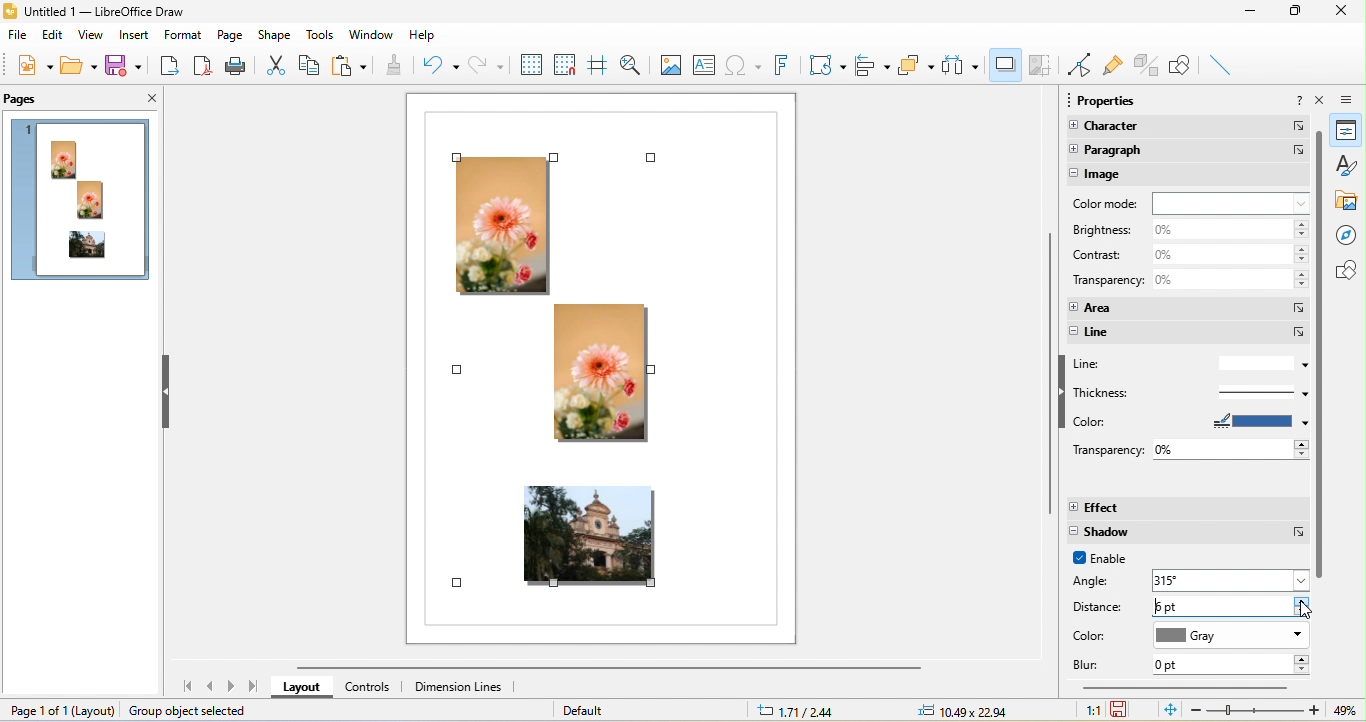  What do you see at coordinates (1230, 665) in the screenshot?
I see `0 pt` at bounding box center [1230, 665].